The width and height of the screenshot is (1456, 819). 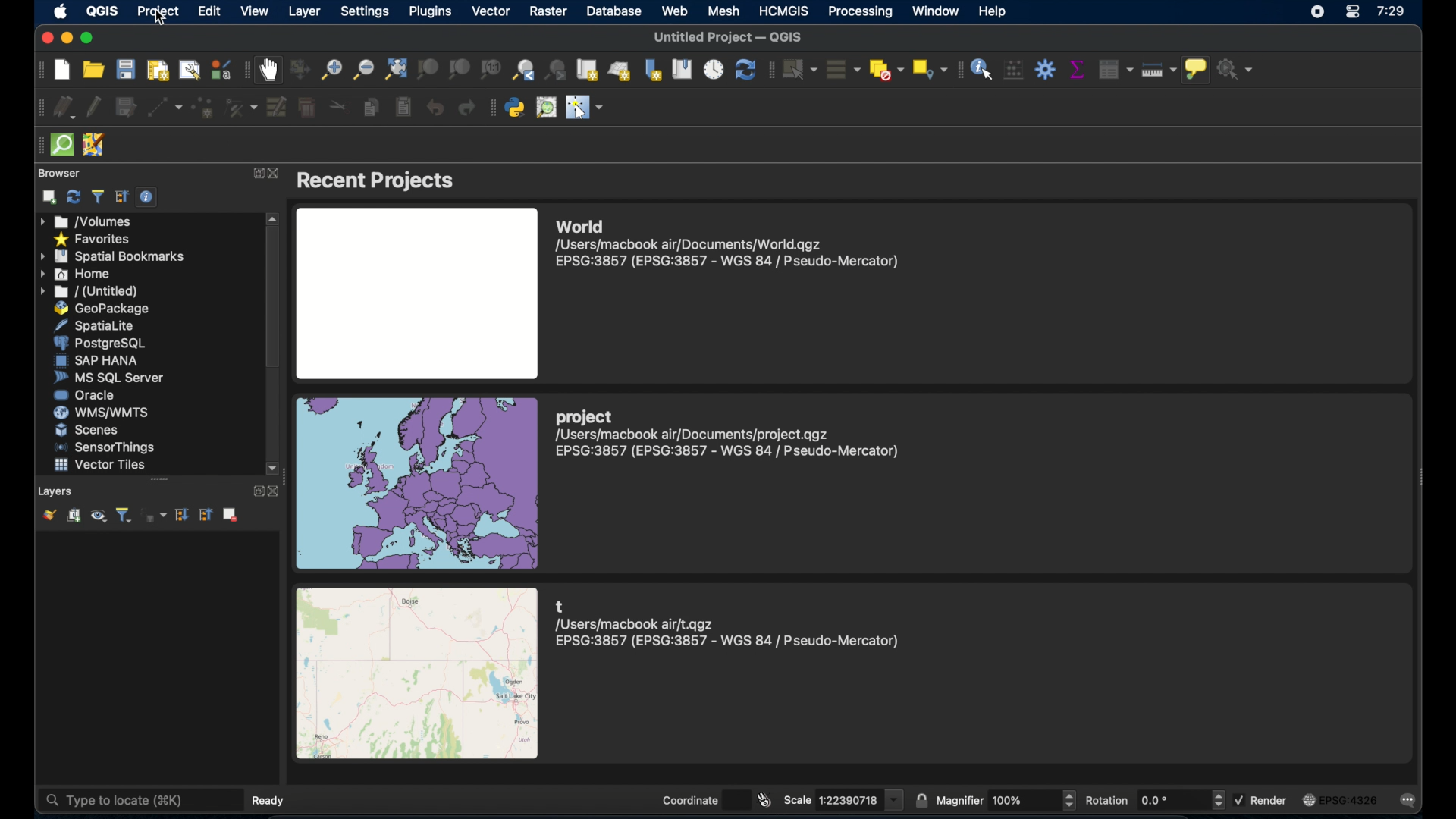 What do you see at coordinates (588, 70) in the screenshot?
I see `new map view` at bounding box center [588, 70].